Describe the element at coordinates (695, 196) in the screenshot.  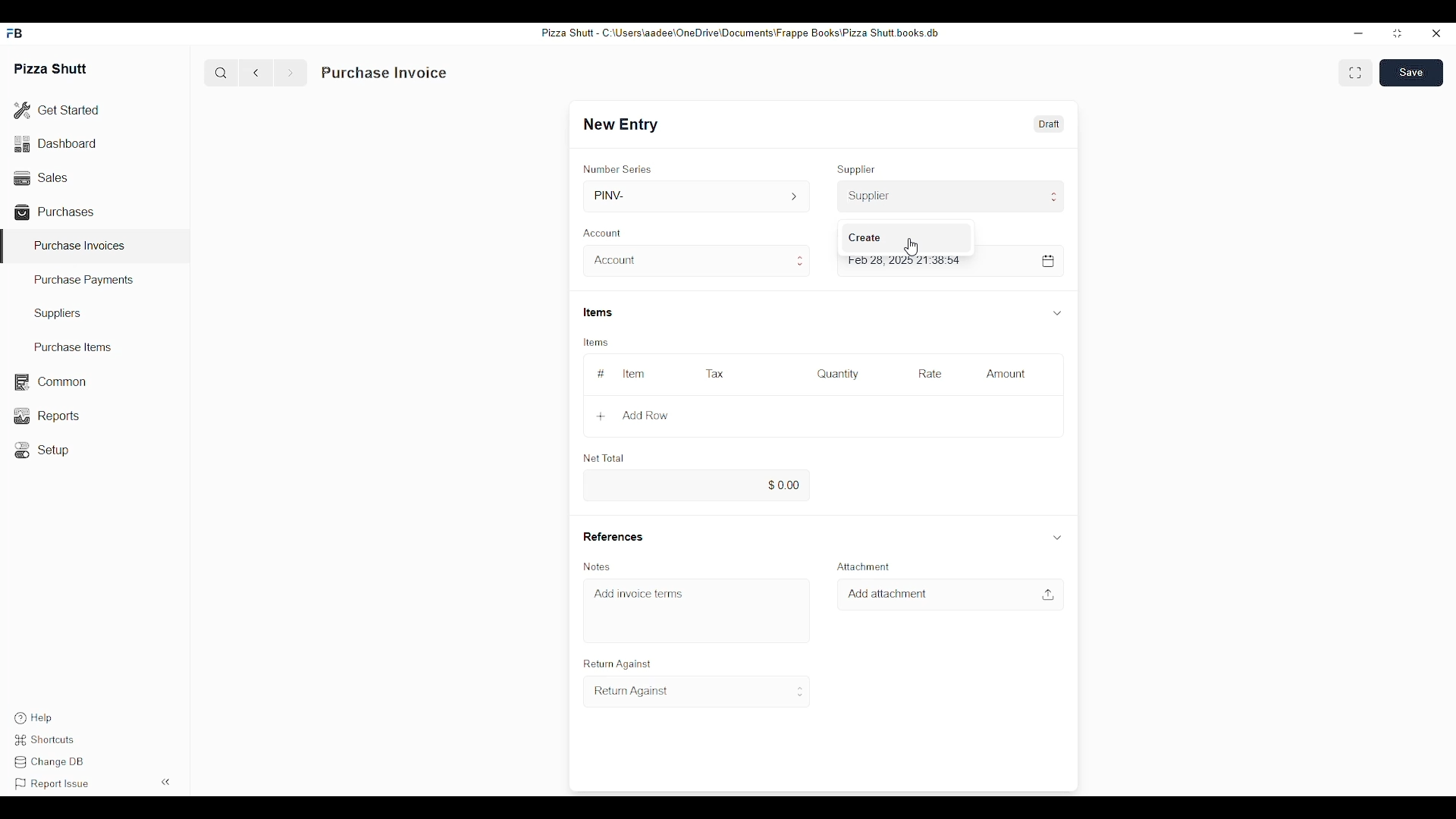
I see `PINV` at that location.